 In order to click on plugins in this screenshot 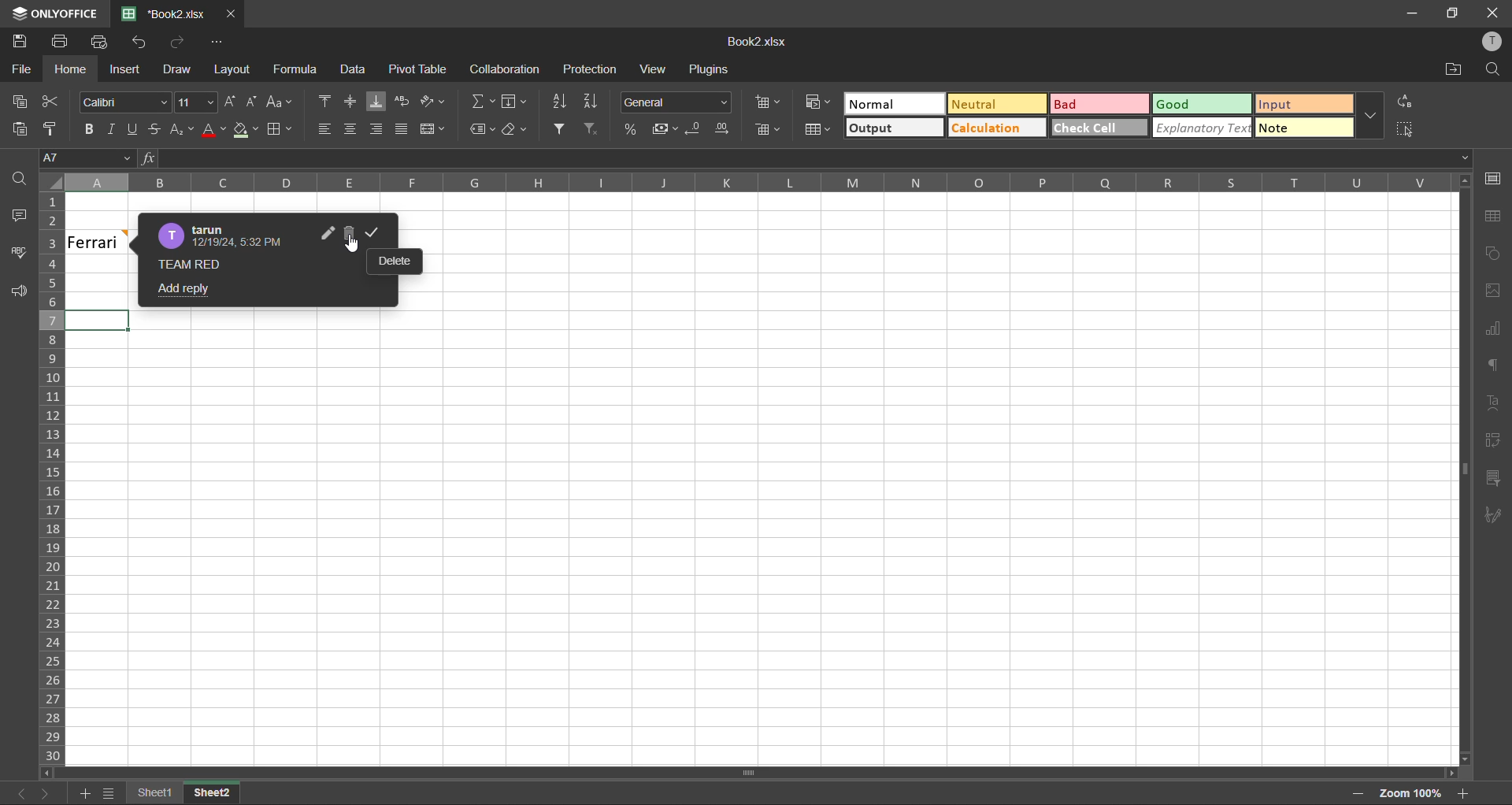, I will do `click(709, 69)`.